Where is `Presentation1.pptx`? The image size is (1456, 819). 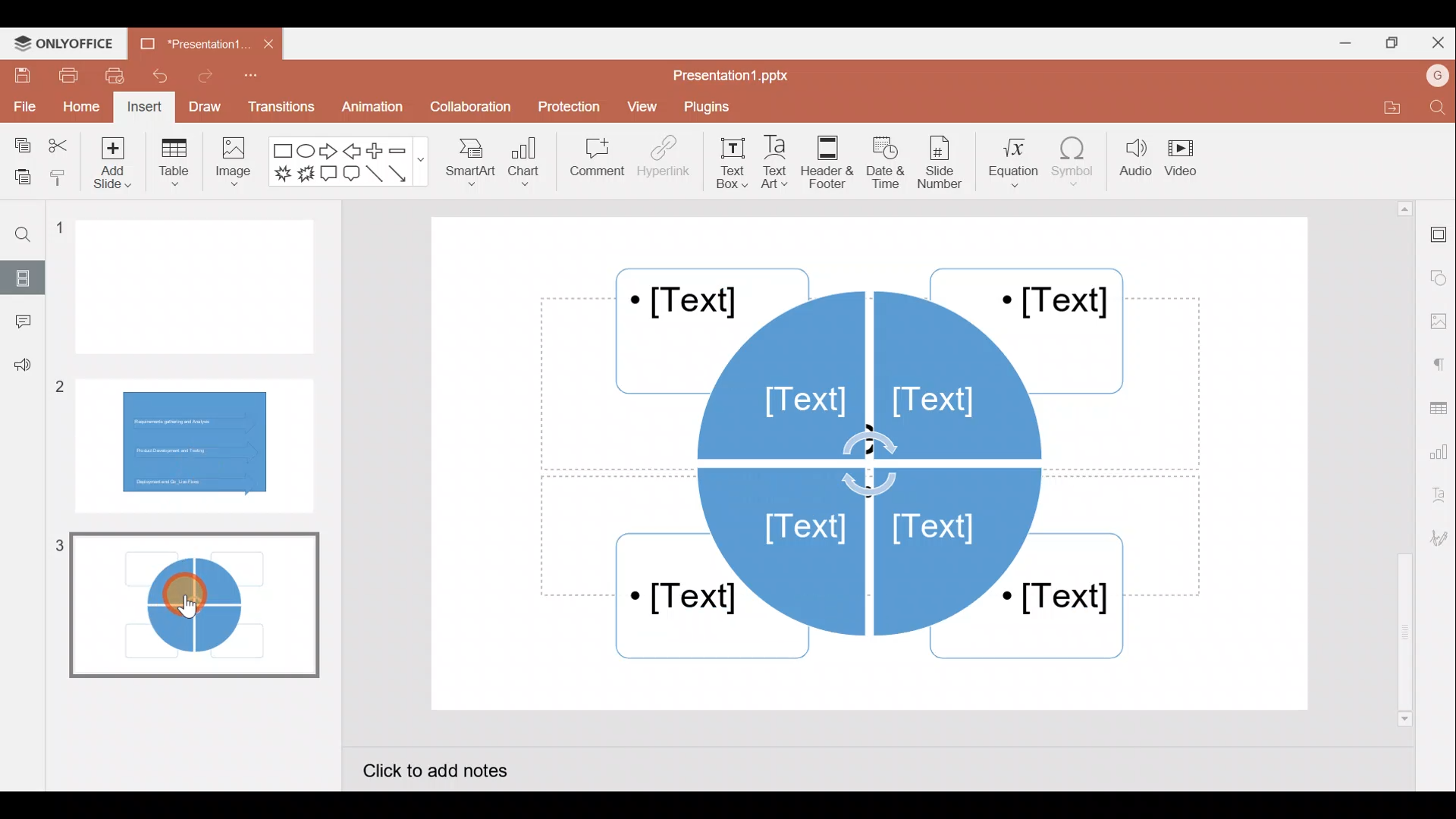 Presentation1.pptx is located at coordinates (734, 76).